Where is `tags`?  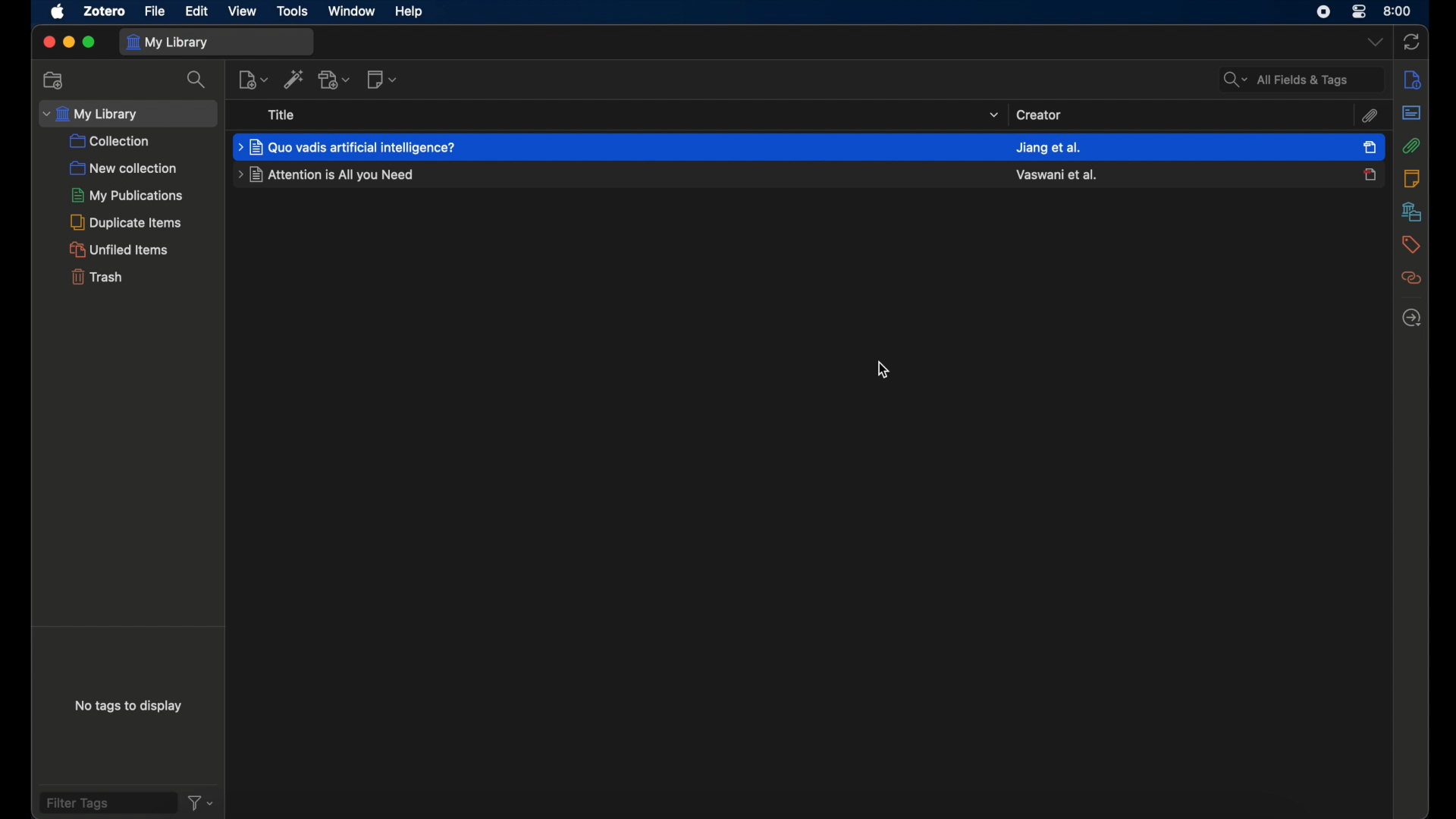 tags is located at coordinates (1410, 245).